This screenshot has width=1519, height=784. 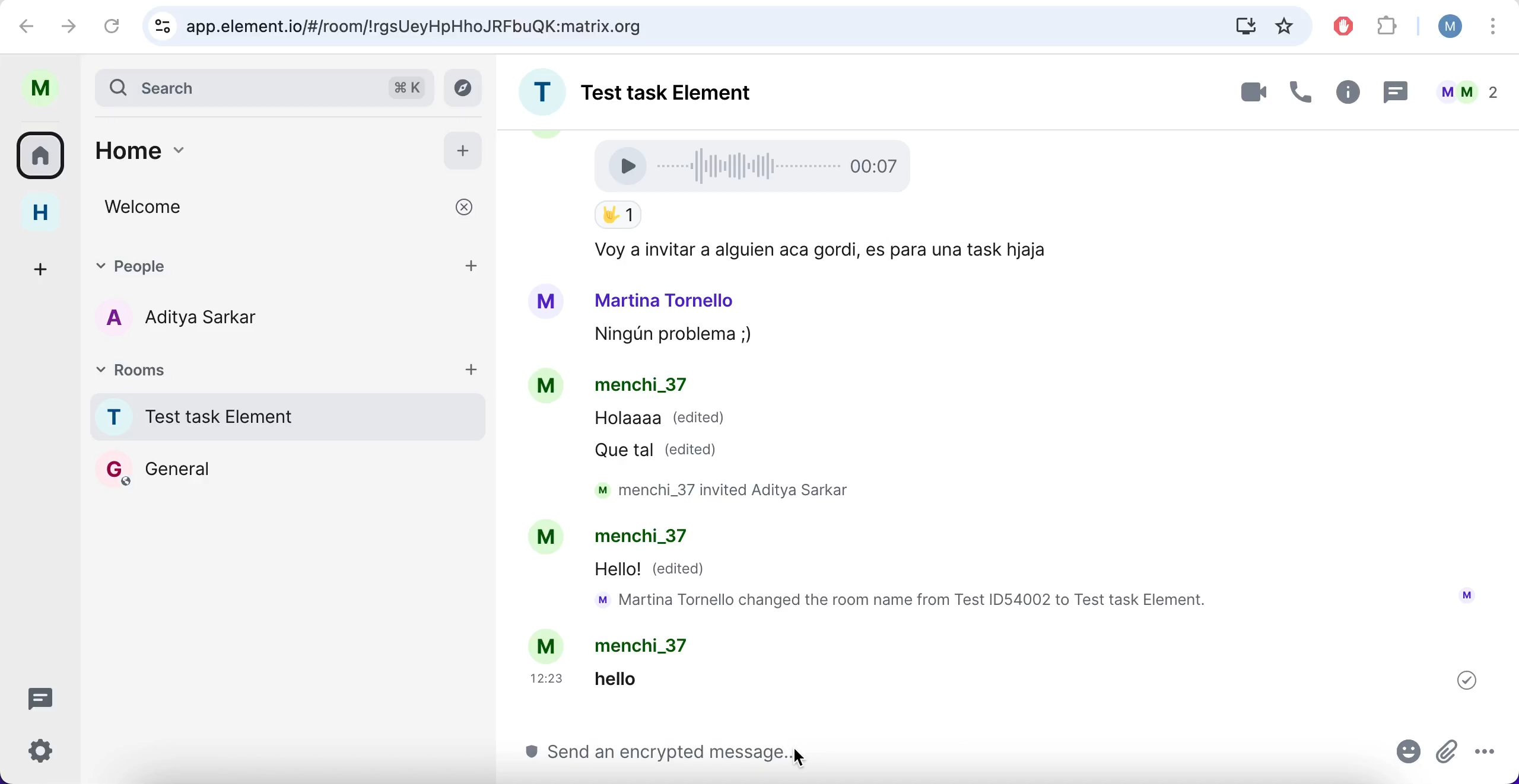 I want to click on Holaaaa (edited), so click(x=660, y=421).